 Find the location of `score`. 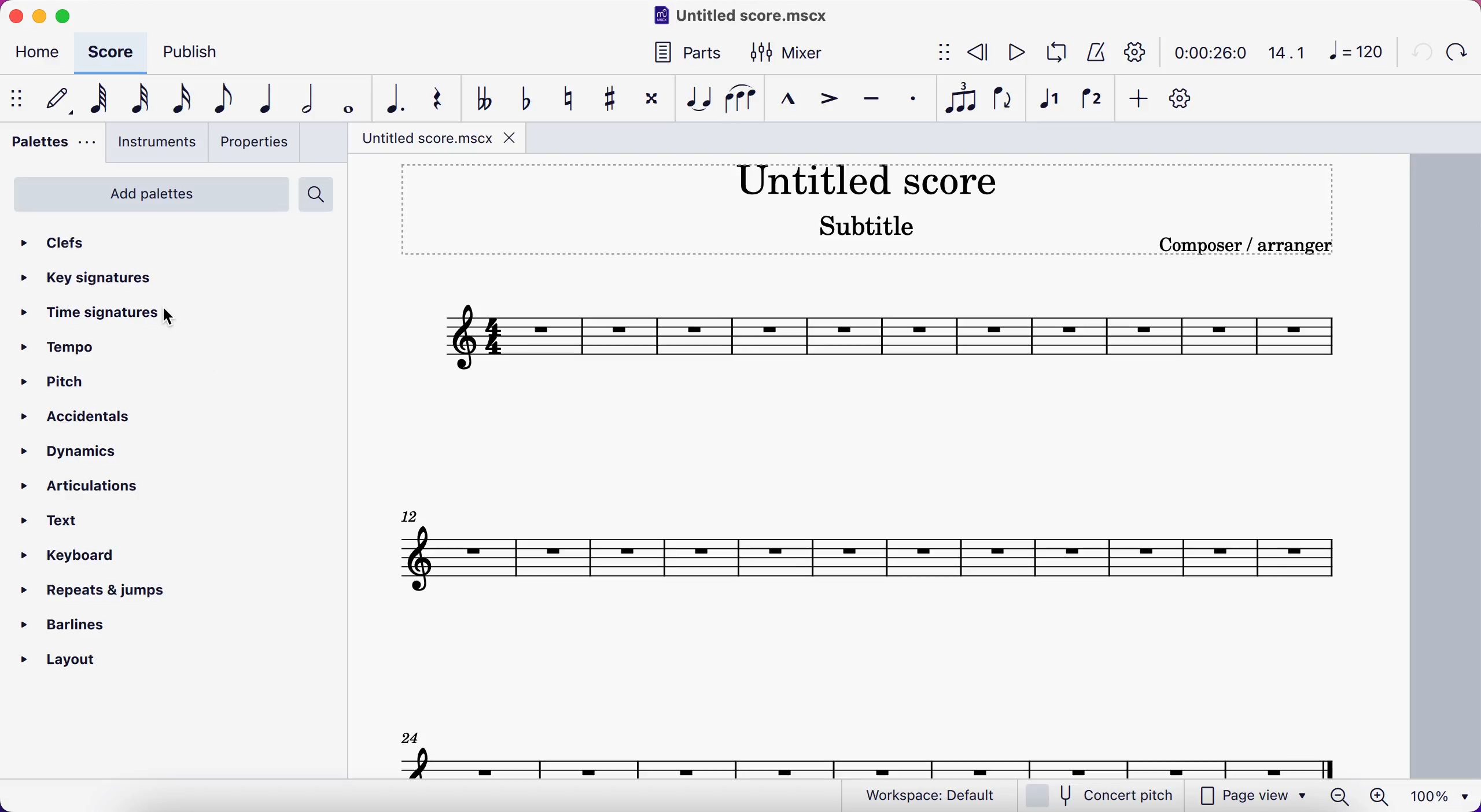

score is located at coordinates (878, 337).